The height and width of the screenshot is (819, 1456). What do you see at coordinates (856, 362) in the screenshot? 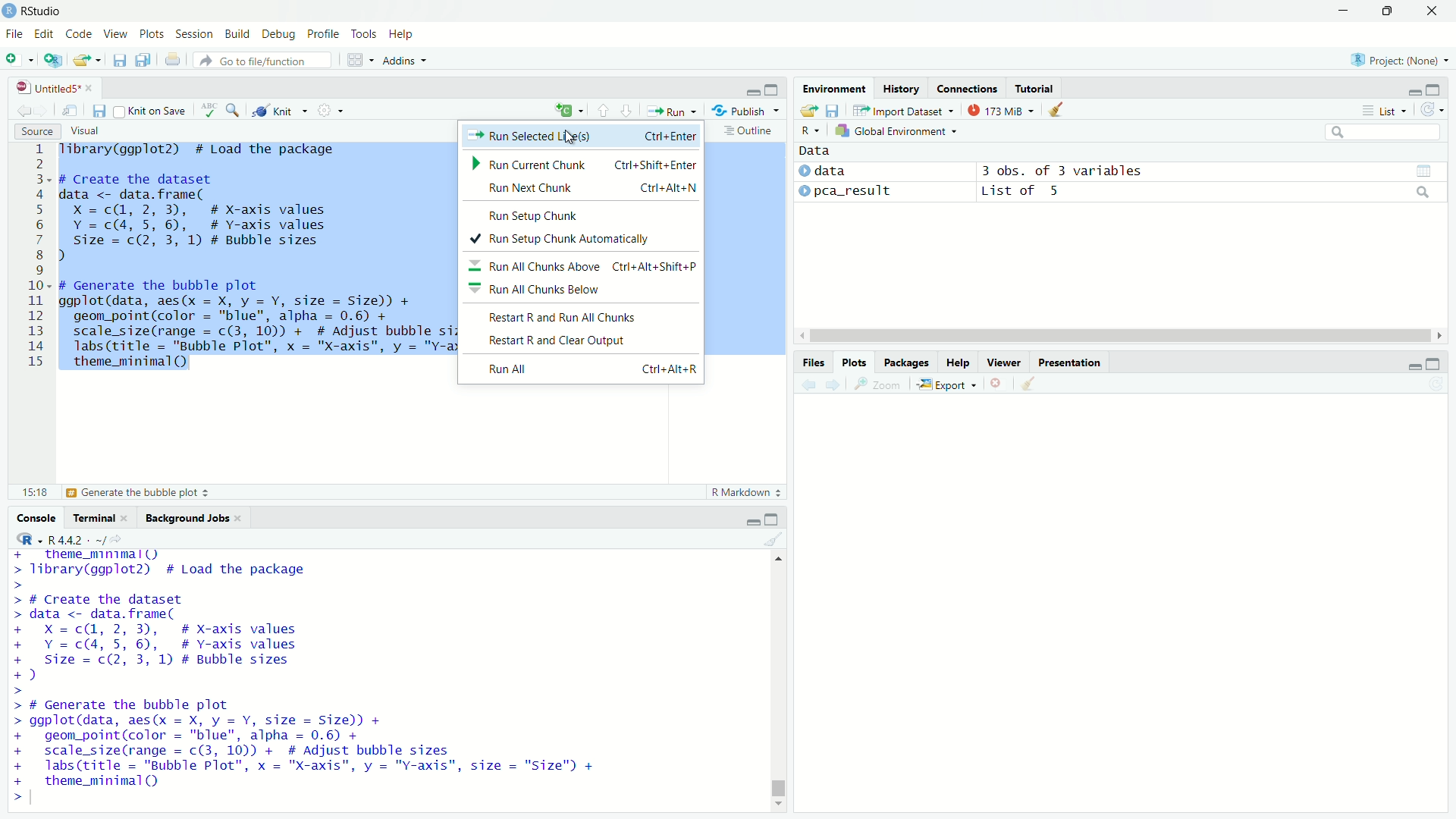
I see `plots` at bounding box center [856, 362].